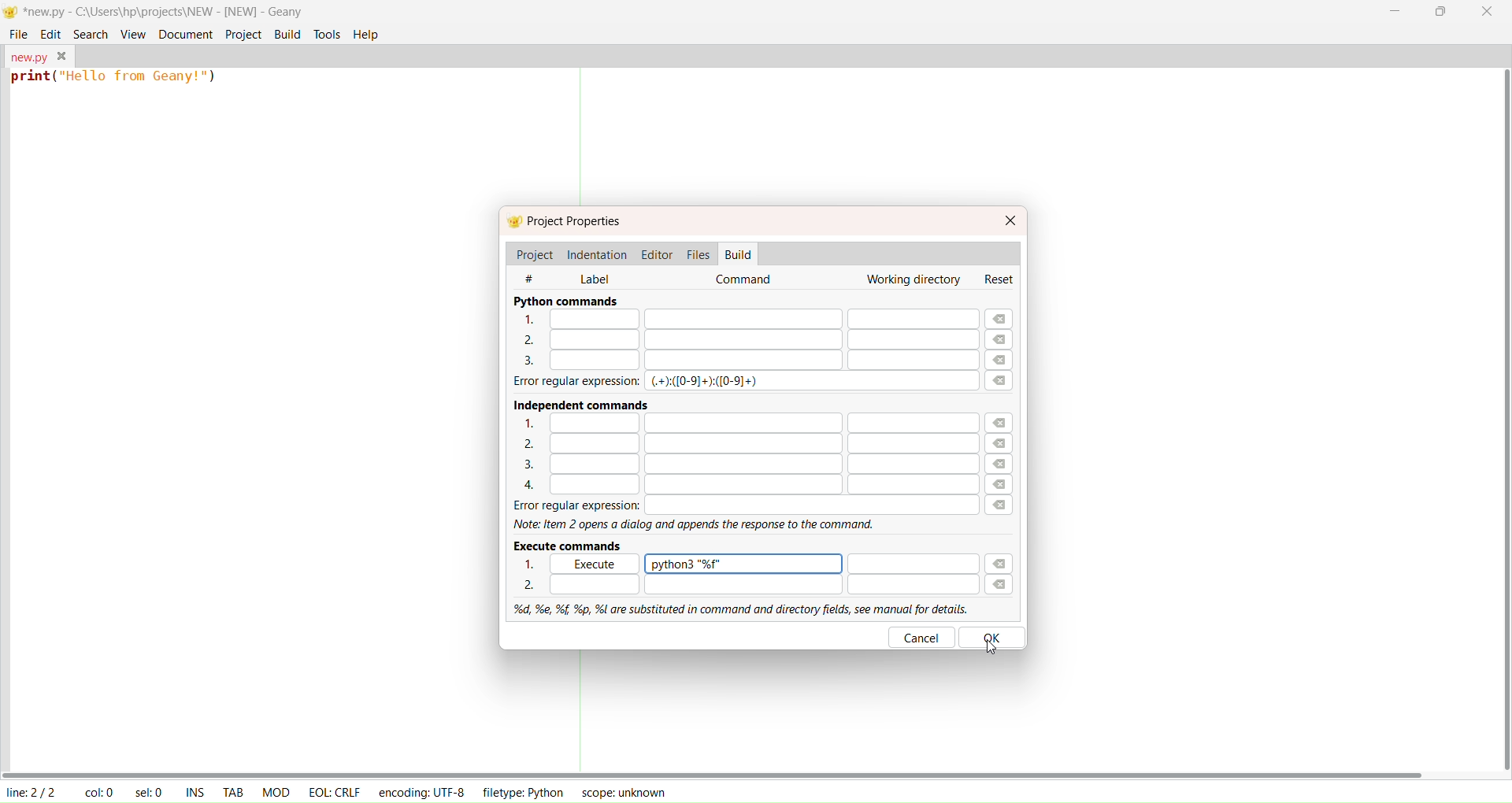 The height and width of the screenshot is (803, 1512). I want to click on document, so click(183, 33).